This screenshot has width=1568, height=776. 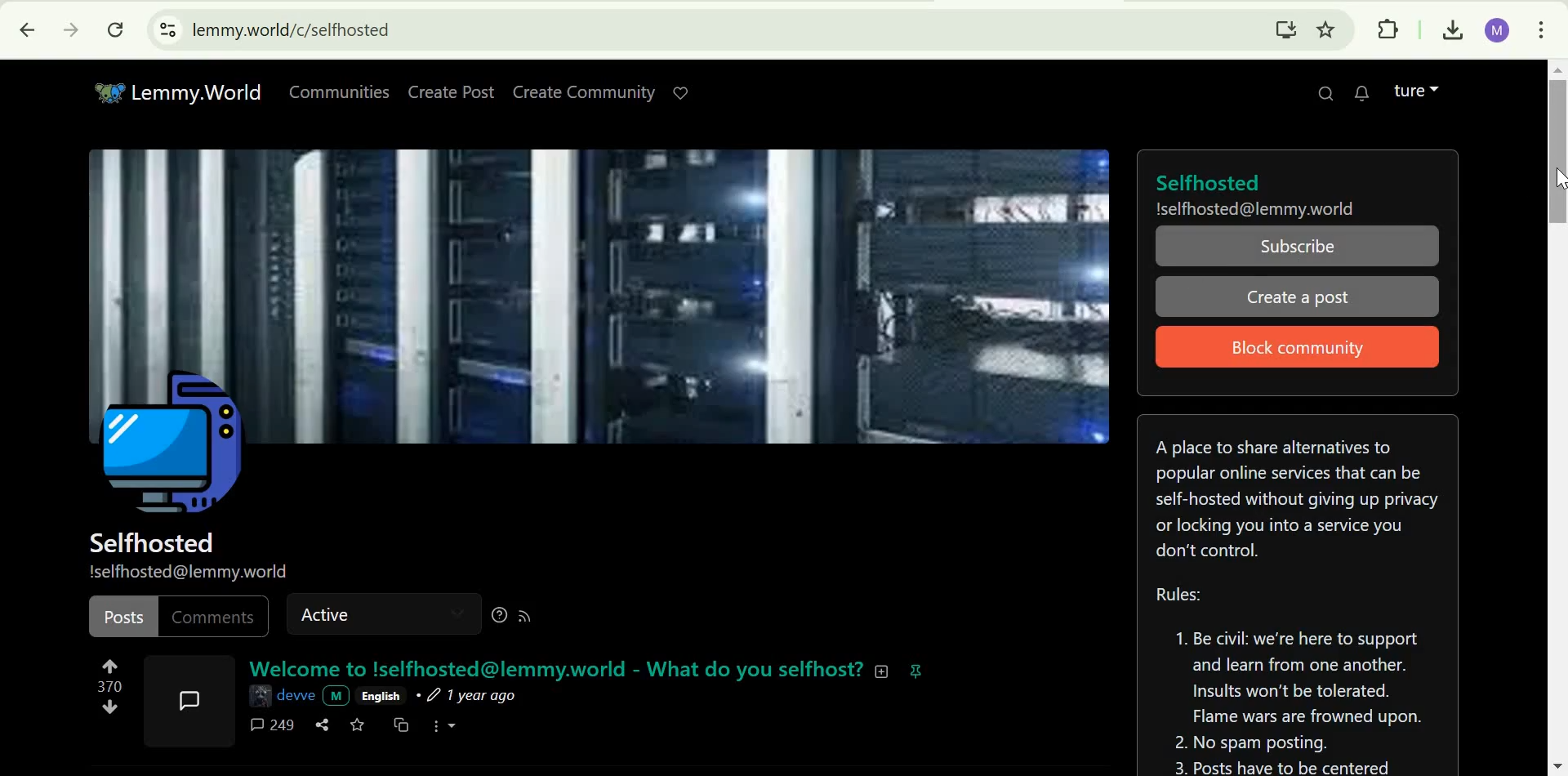 What do you see at coordinates (1556, 418) in the screenshot?
I see `Scrollbar` at bounding box center [1556, 418].